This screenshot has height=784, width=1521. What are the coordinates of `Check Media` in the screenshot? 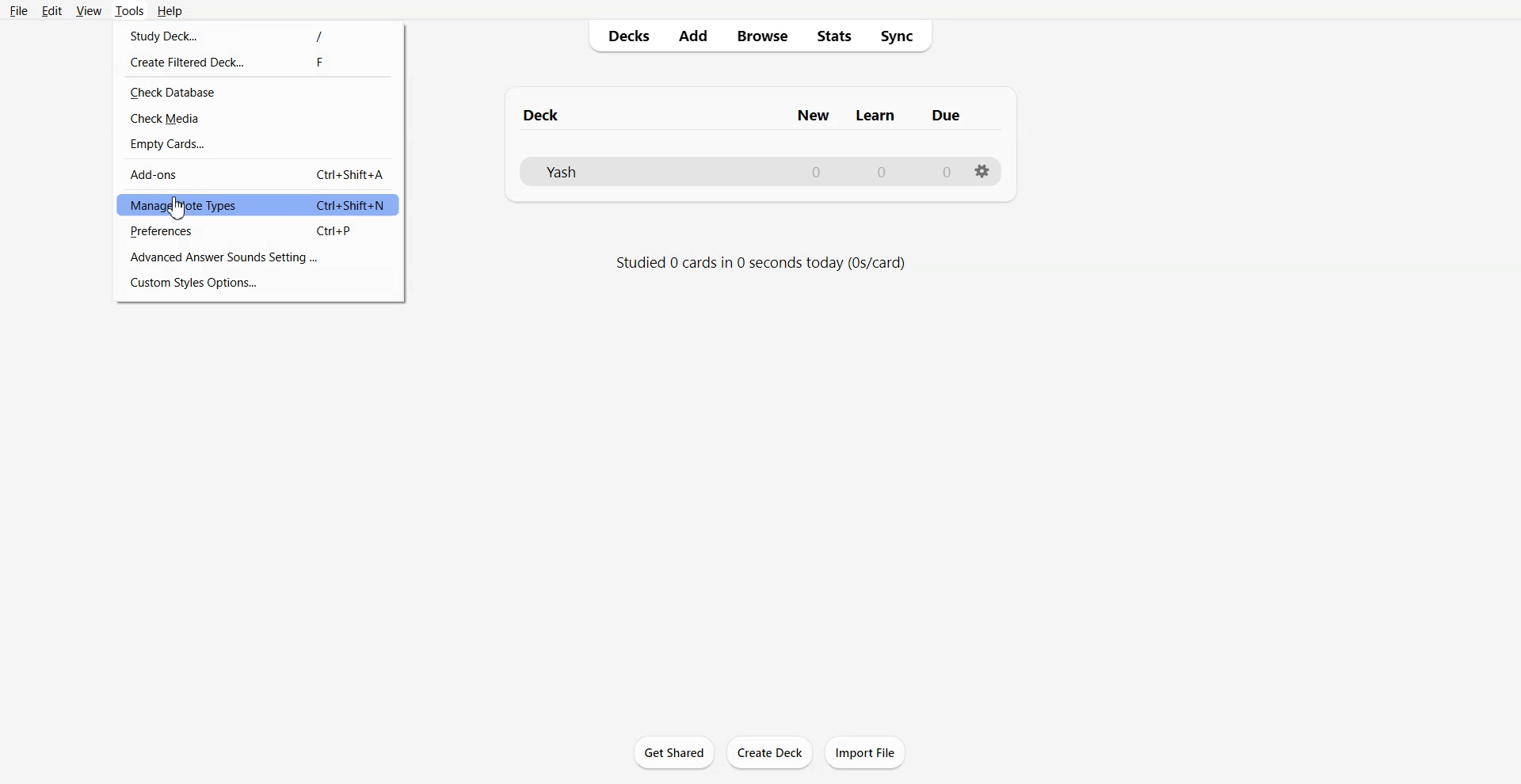 It's located at (255, 117).